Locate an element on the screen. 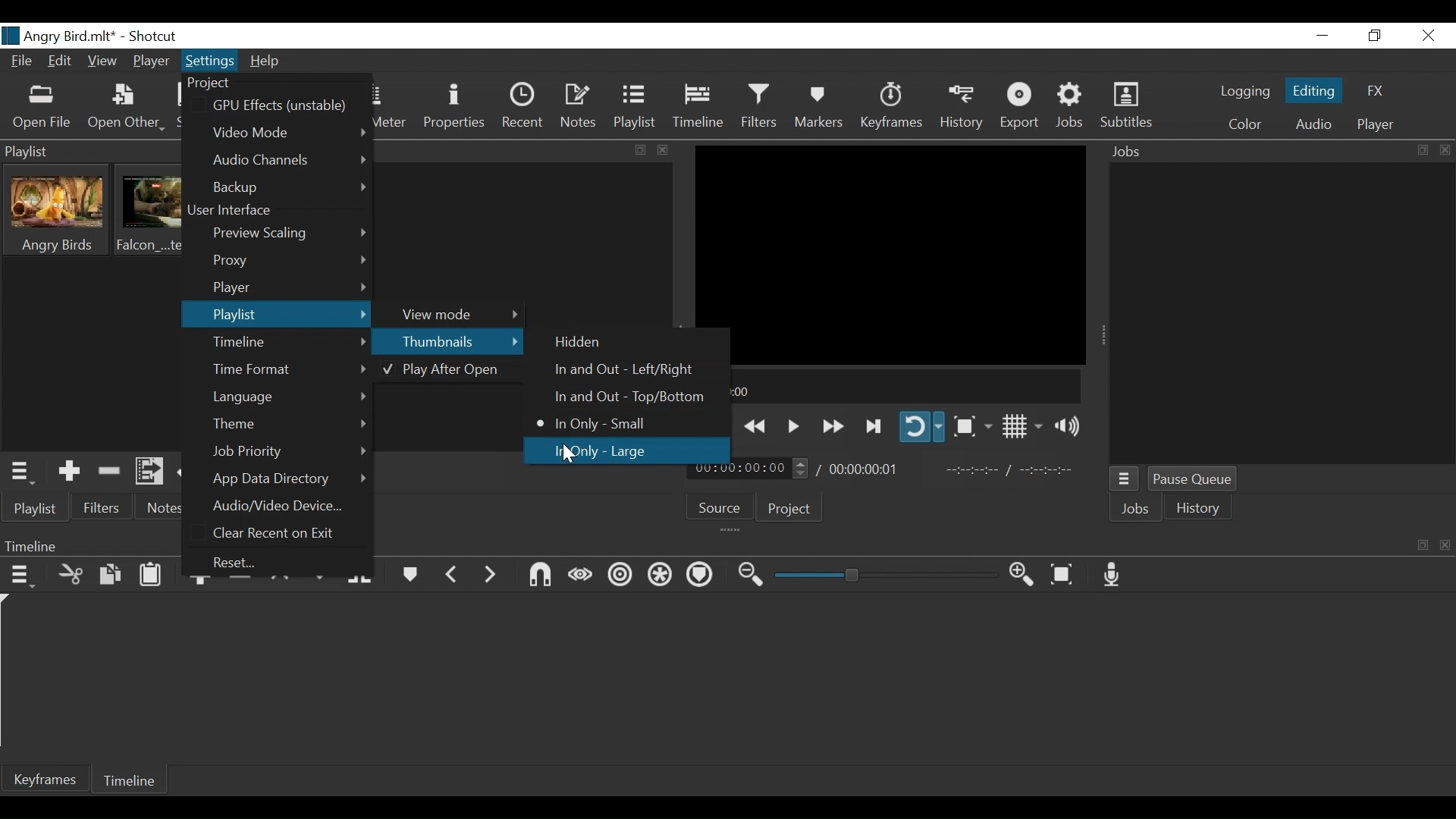  Clip is located at coordinates (58, 211).